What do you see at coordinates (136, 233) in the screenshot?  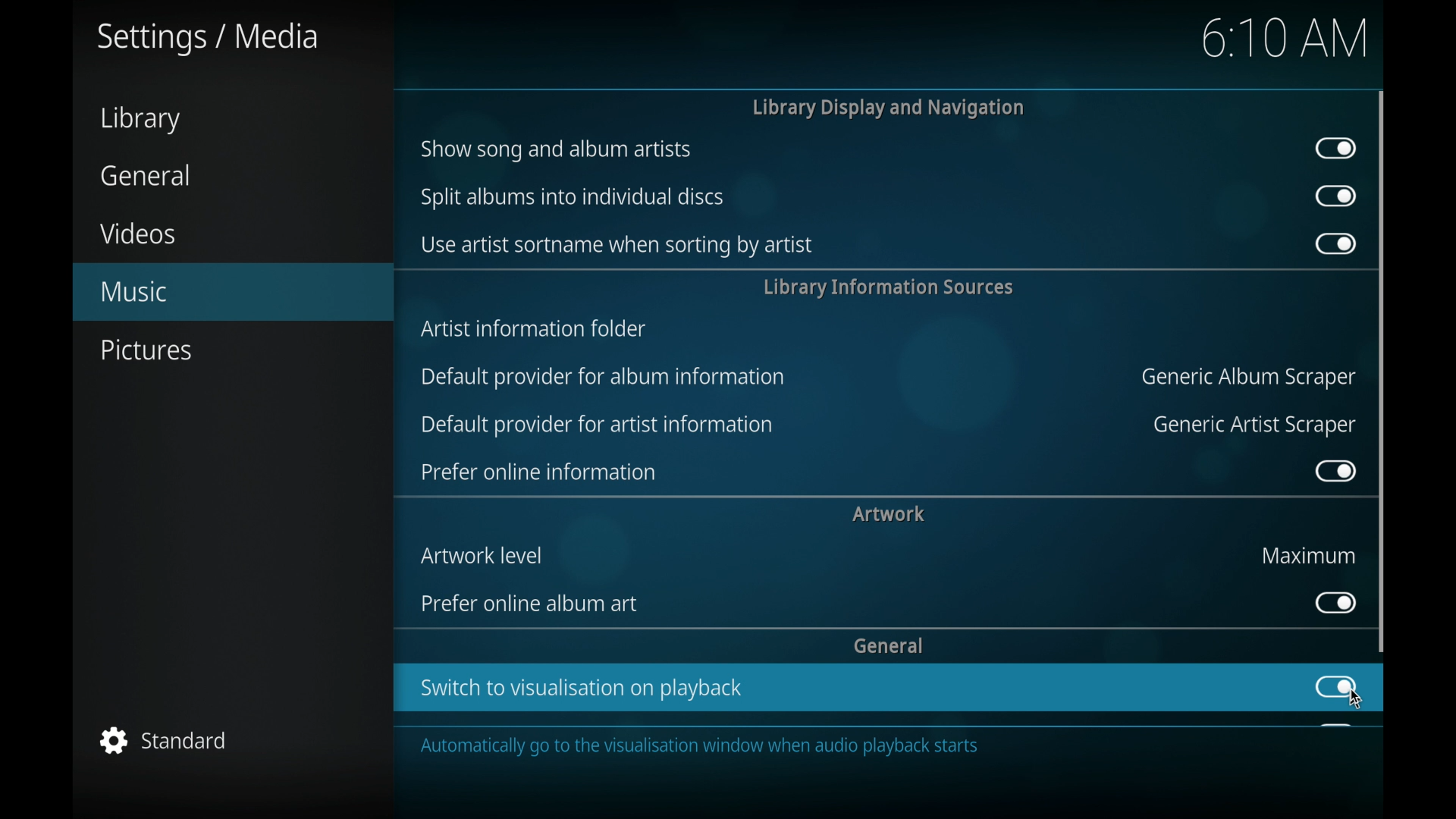 I see `videos` at bounding box center [136, 233].